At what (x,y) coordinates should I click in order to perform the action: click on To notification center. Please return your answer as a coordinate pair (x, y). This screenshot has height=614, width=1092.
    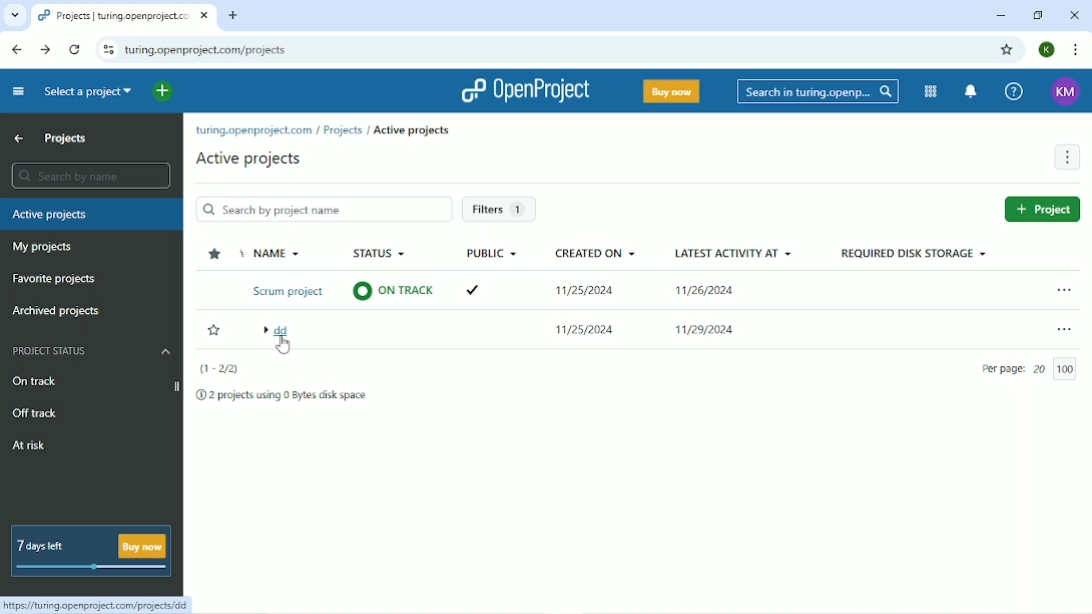
    Looking at the image, I should click on (971, 91).